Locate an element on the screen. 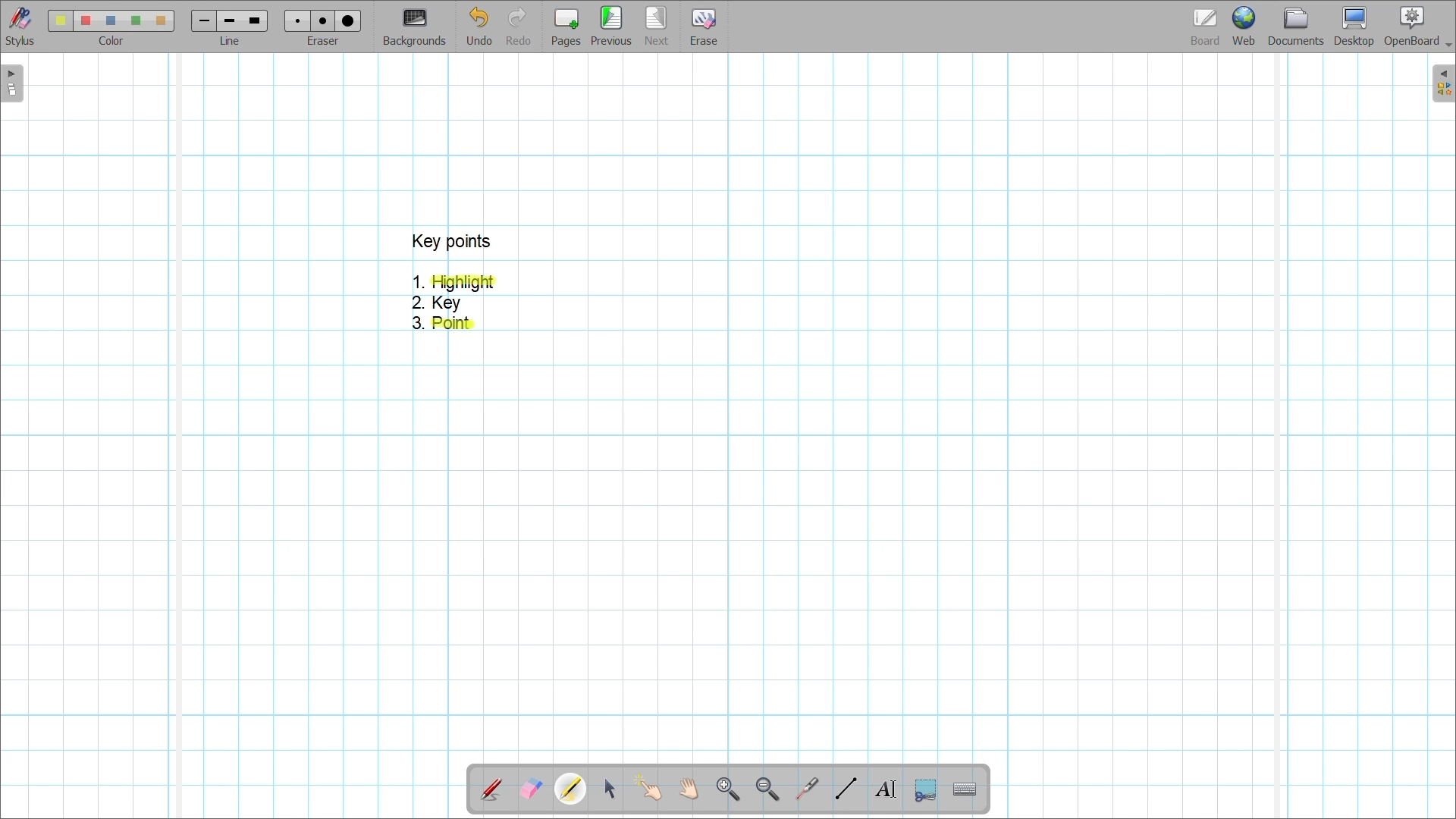 This screenshot has height=819, width=1456. color 2 is located at coordinates (85, 21).